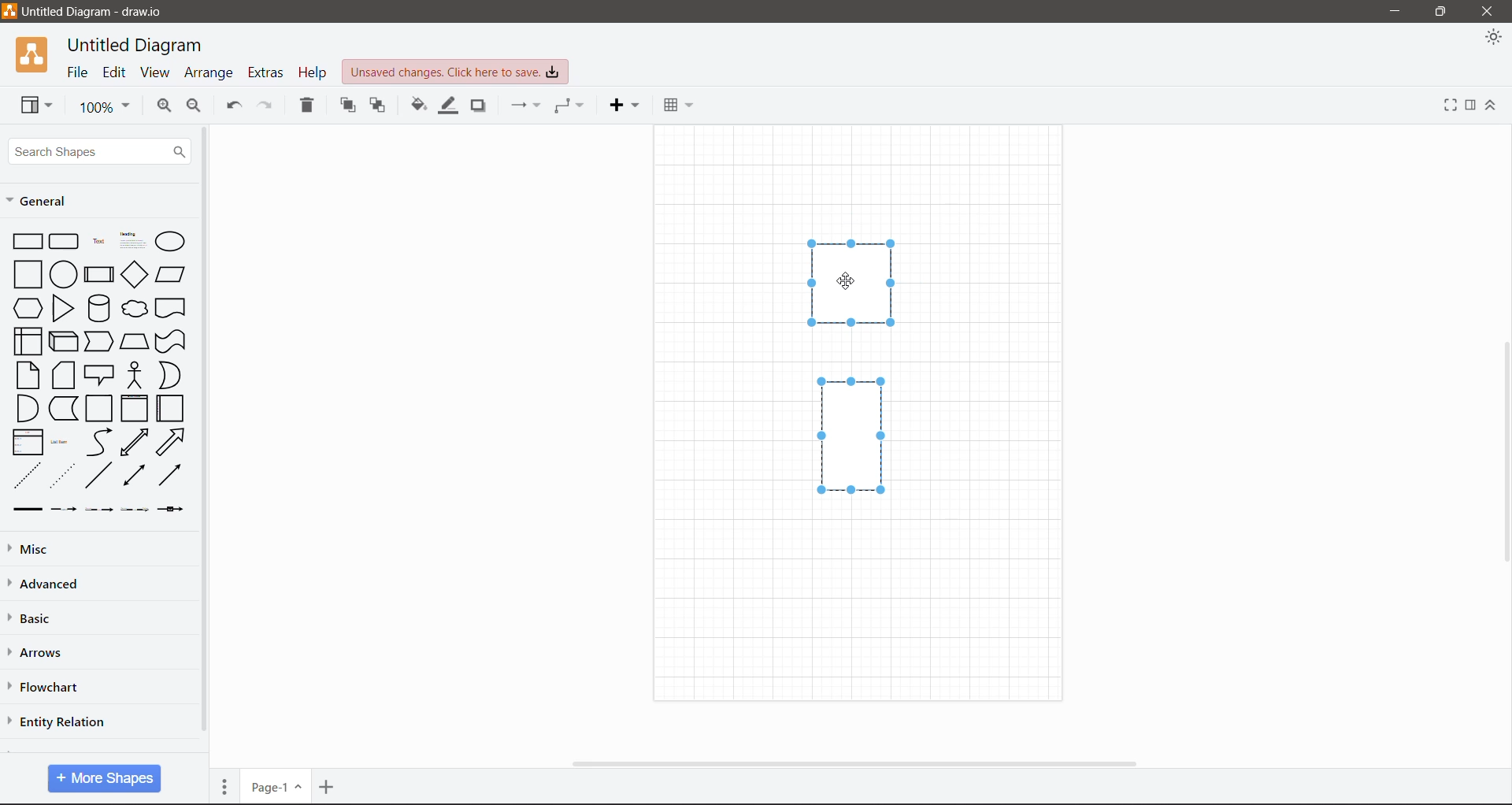  I want to click on Expand/Collapse, so click(1492, 106).